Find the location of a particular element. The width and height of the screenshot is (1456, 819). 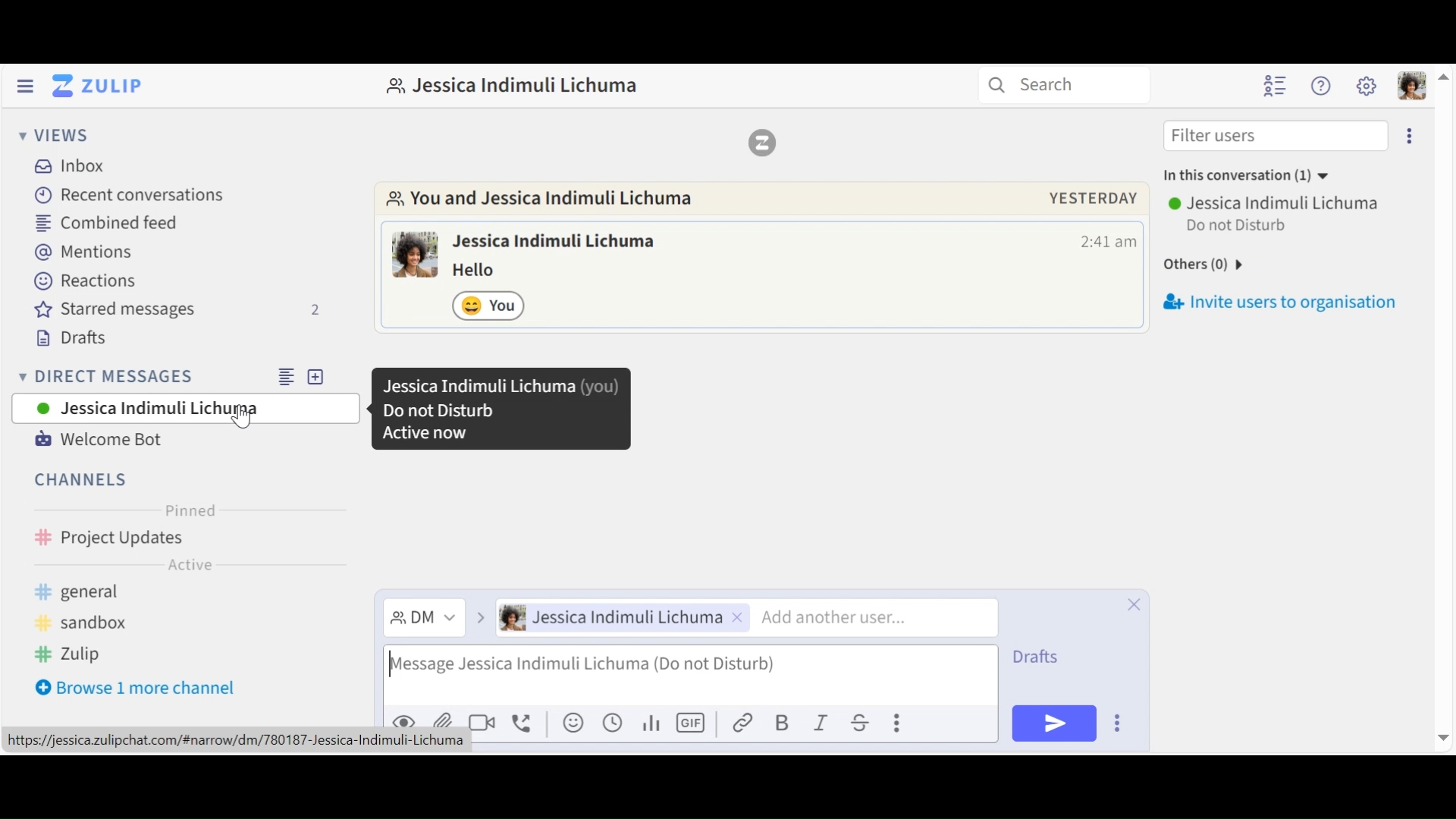

general is located at coordinates (138, 593).